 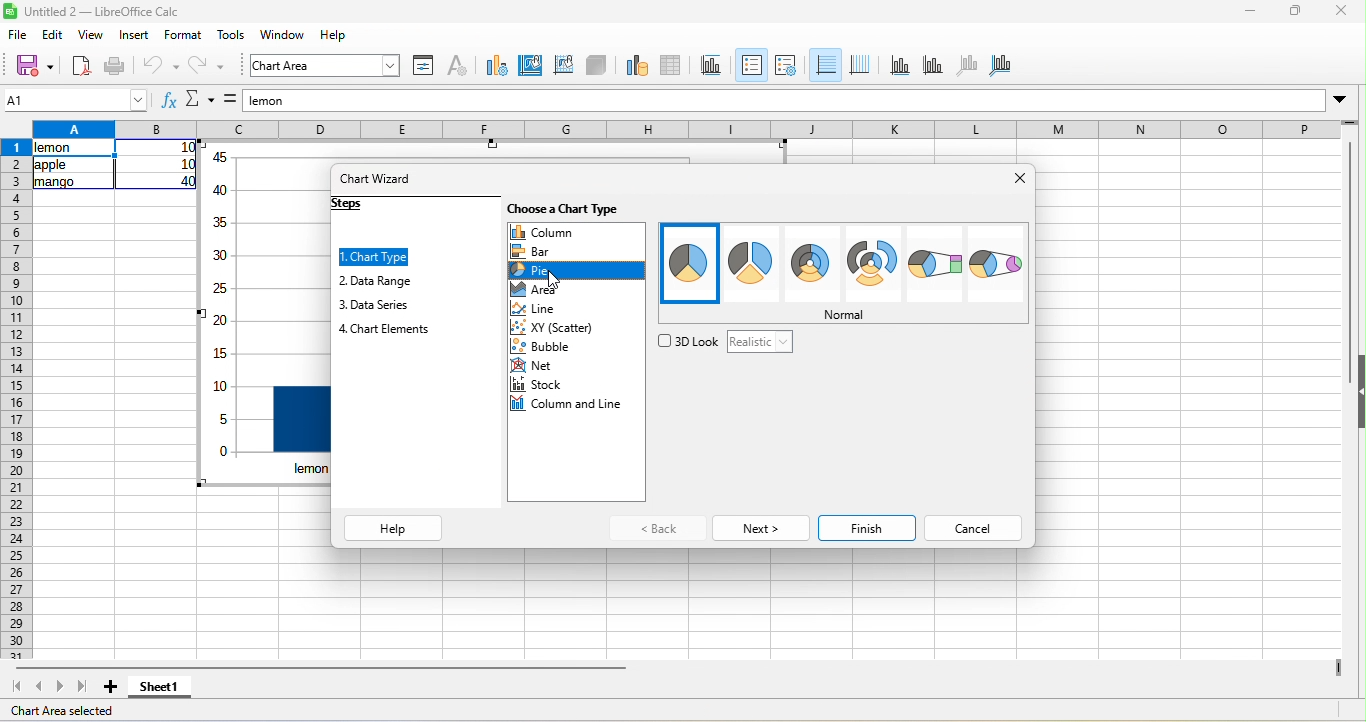 I want to click on scroll to last sheet, so click(x=81, y=688).